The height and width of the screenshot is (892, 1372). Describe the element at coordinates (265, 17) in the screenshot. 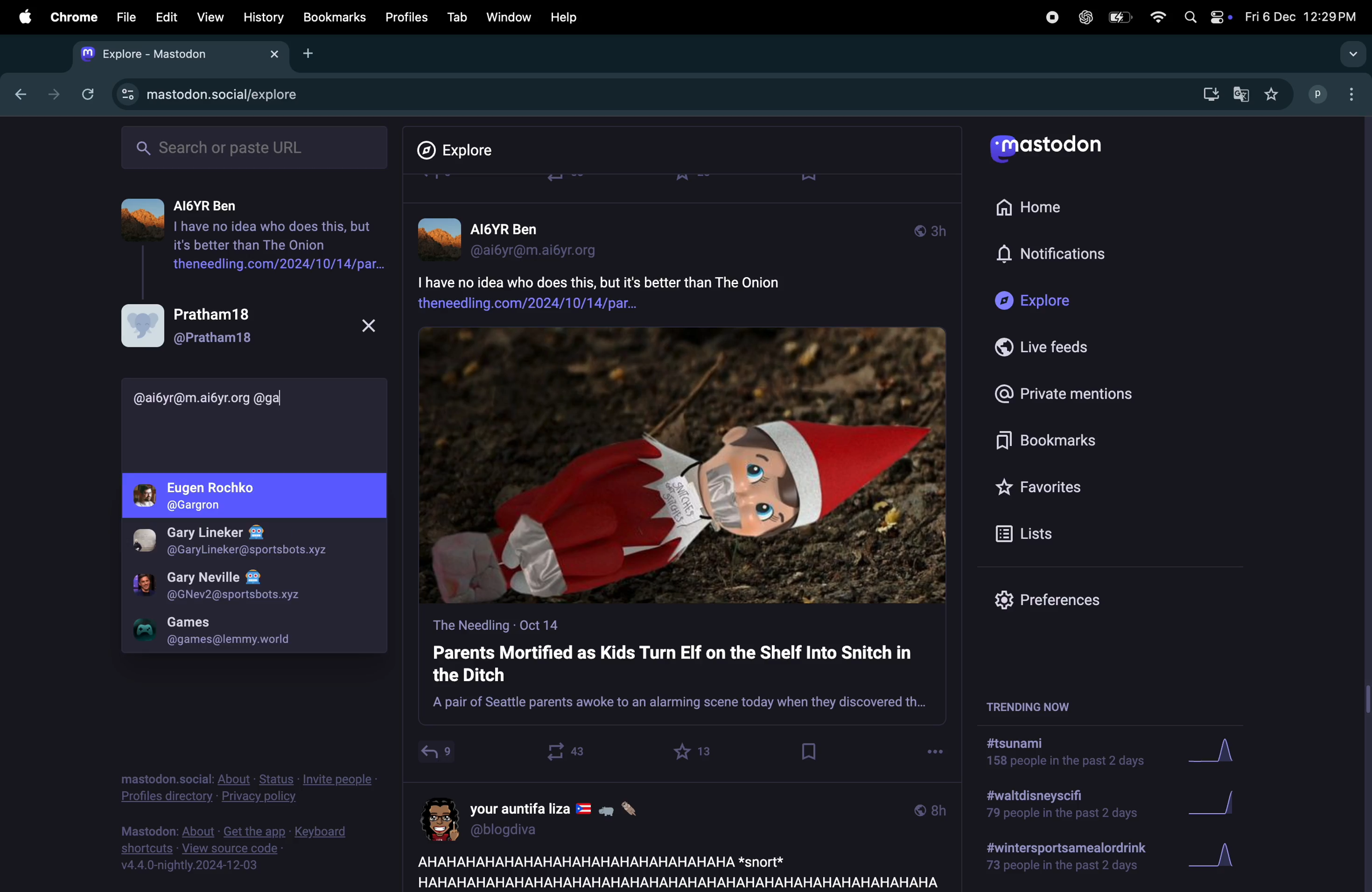

I see `history` at that location.